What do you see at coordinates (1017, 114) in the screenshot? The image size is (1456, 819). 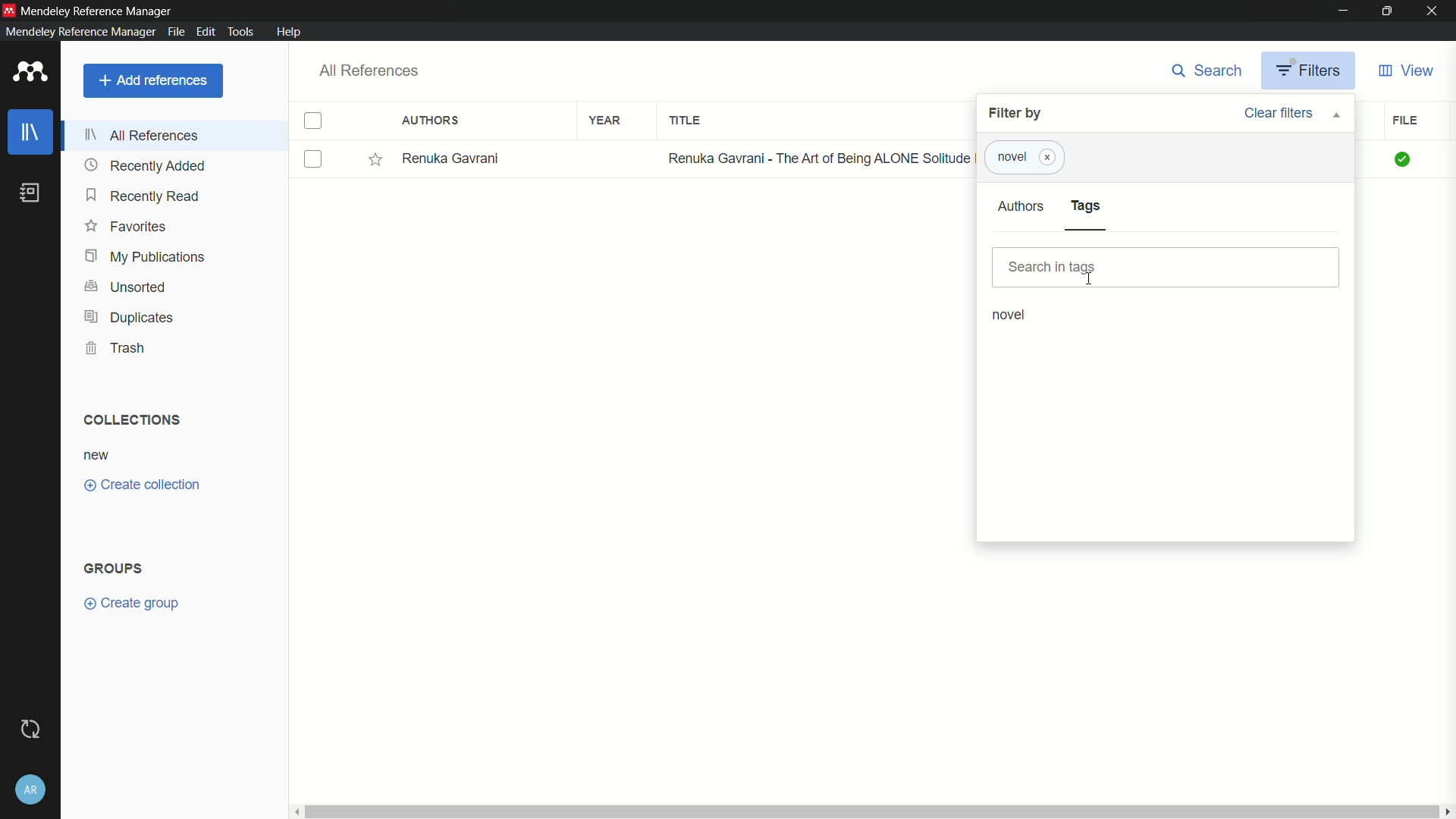 I see `filter by` at bounding box center [1017, 114].